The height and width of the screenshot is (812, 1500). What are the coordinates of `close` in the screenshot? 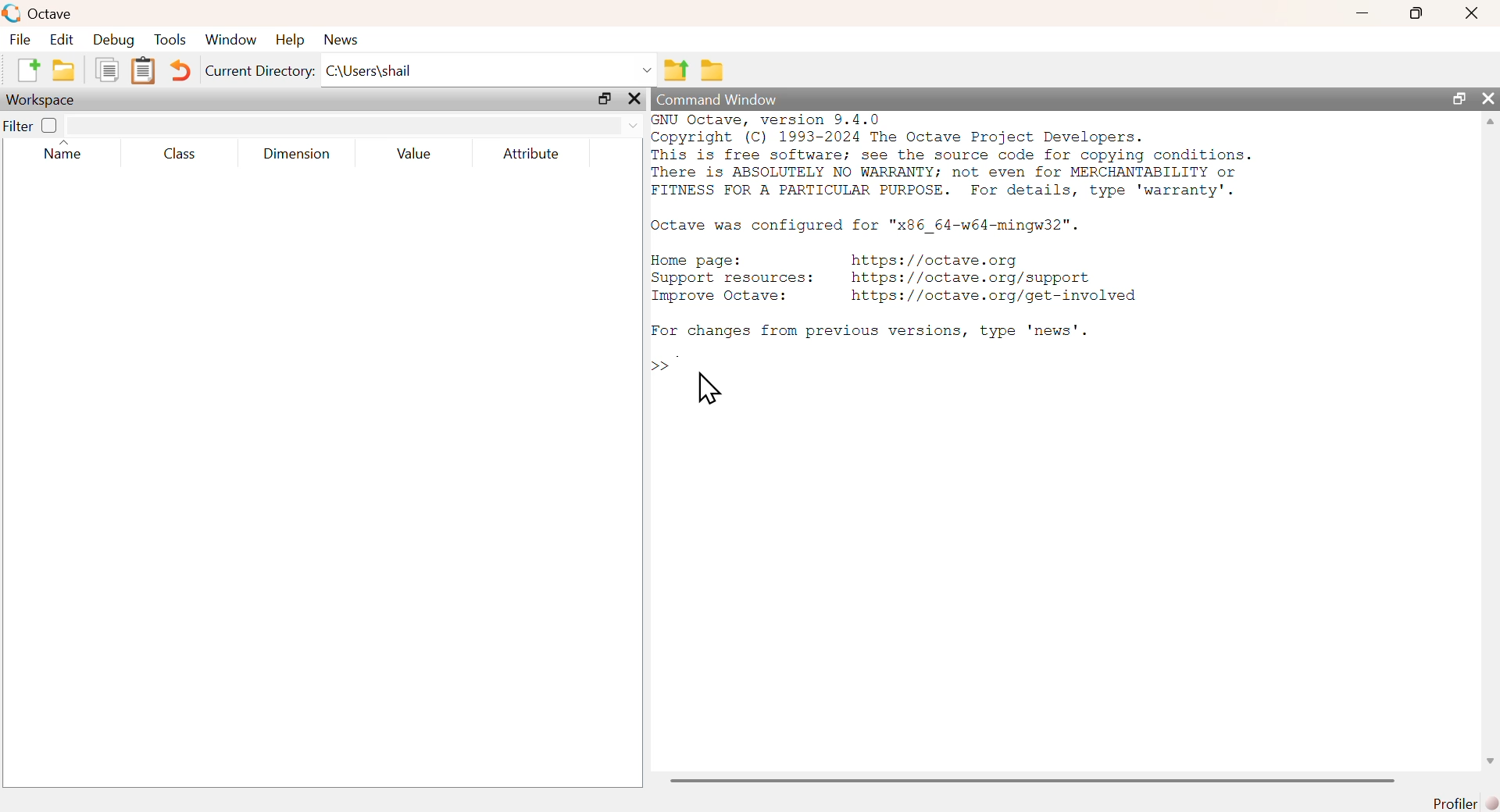 It's located at (1491, 100).